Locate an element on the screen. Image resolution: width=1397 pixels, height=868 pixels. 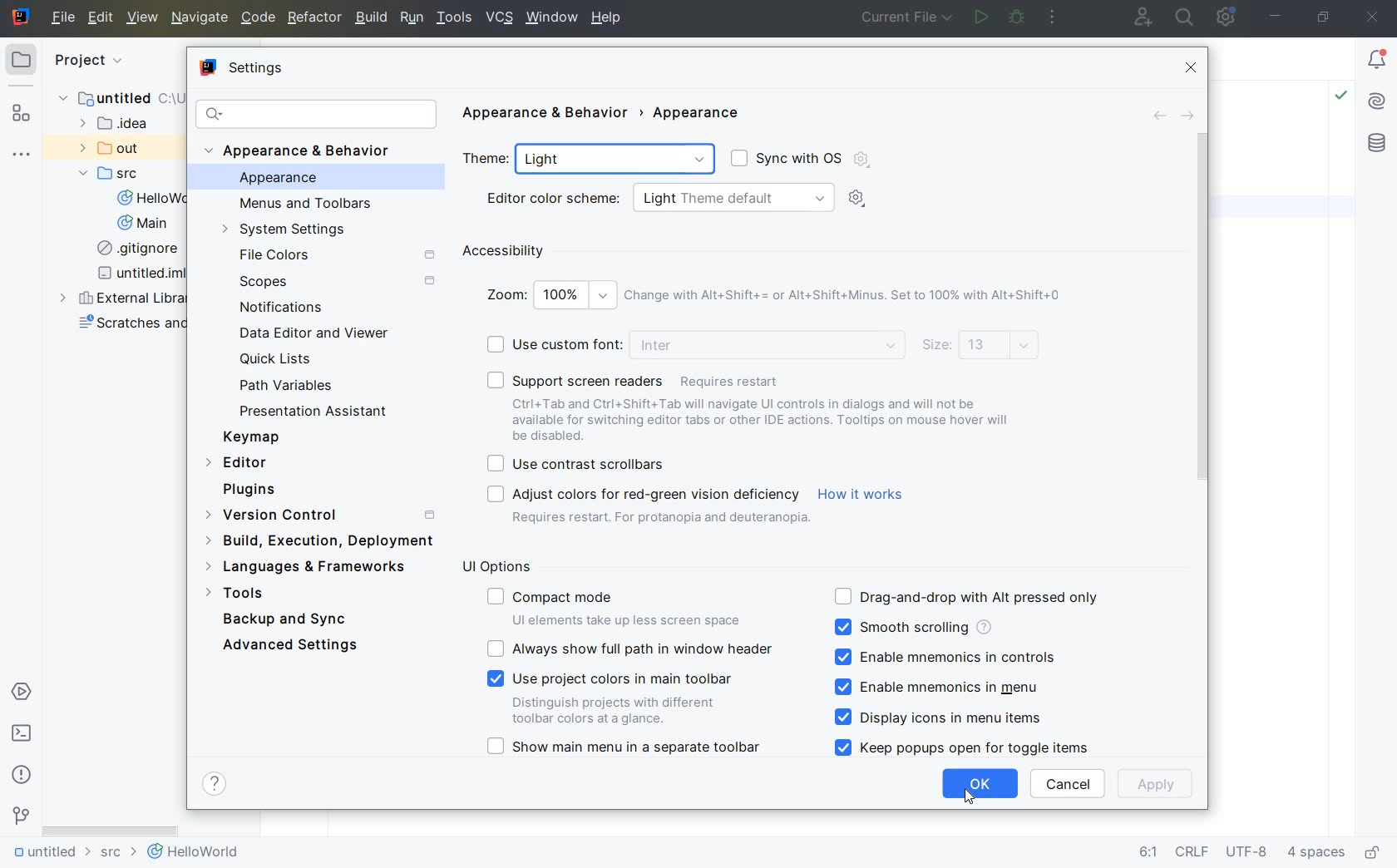
KEYMAP is located at coordinates (256, 436).